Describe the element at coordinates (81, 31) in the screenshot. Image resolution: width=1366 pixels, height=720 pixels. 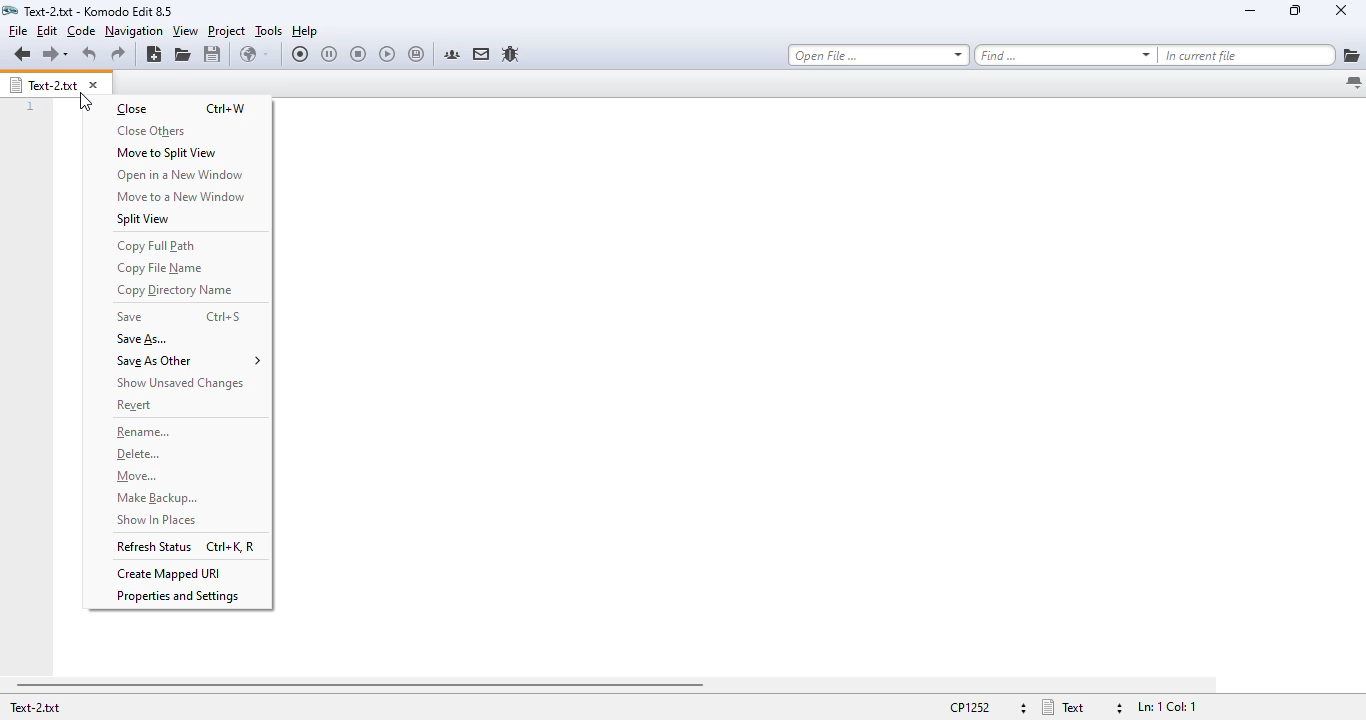
I see `code` at that location.